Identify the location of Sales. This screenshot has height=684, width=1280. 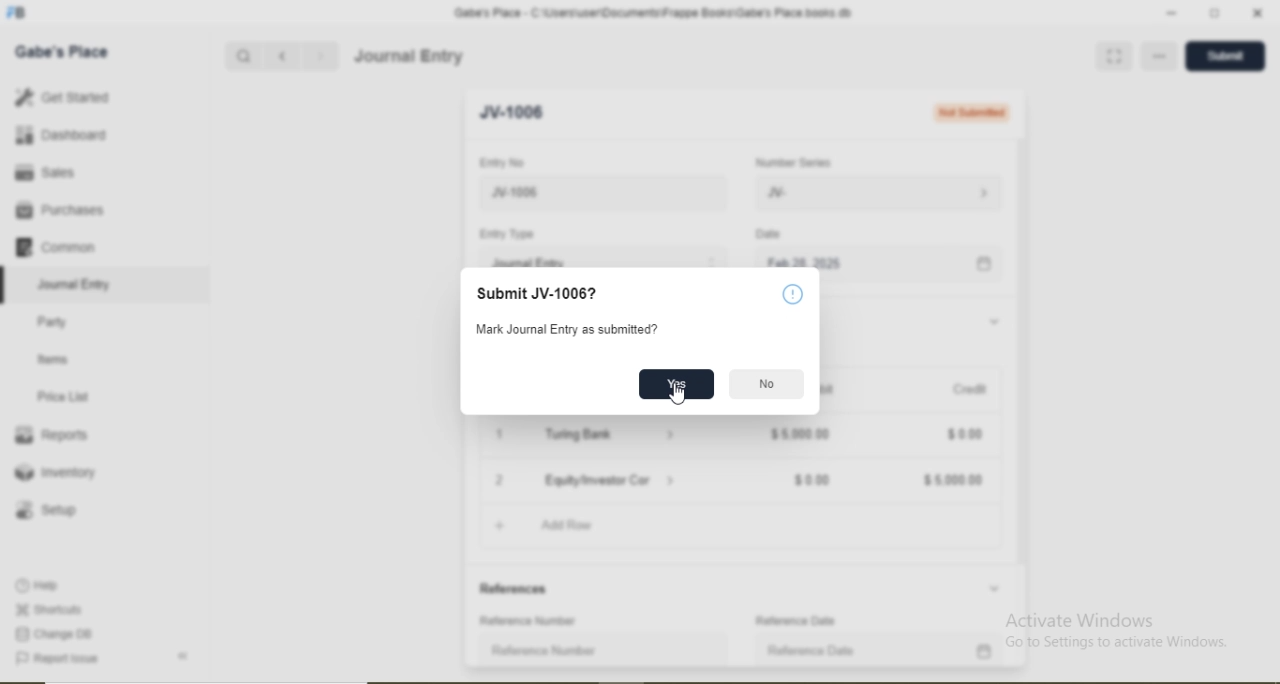
(42, 172).